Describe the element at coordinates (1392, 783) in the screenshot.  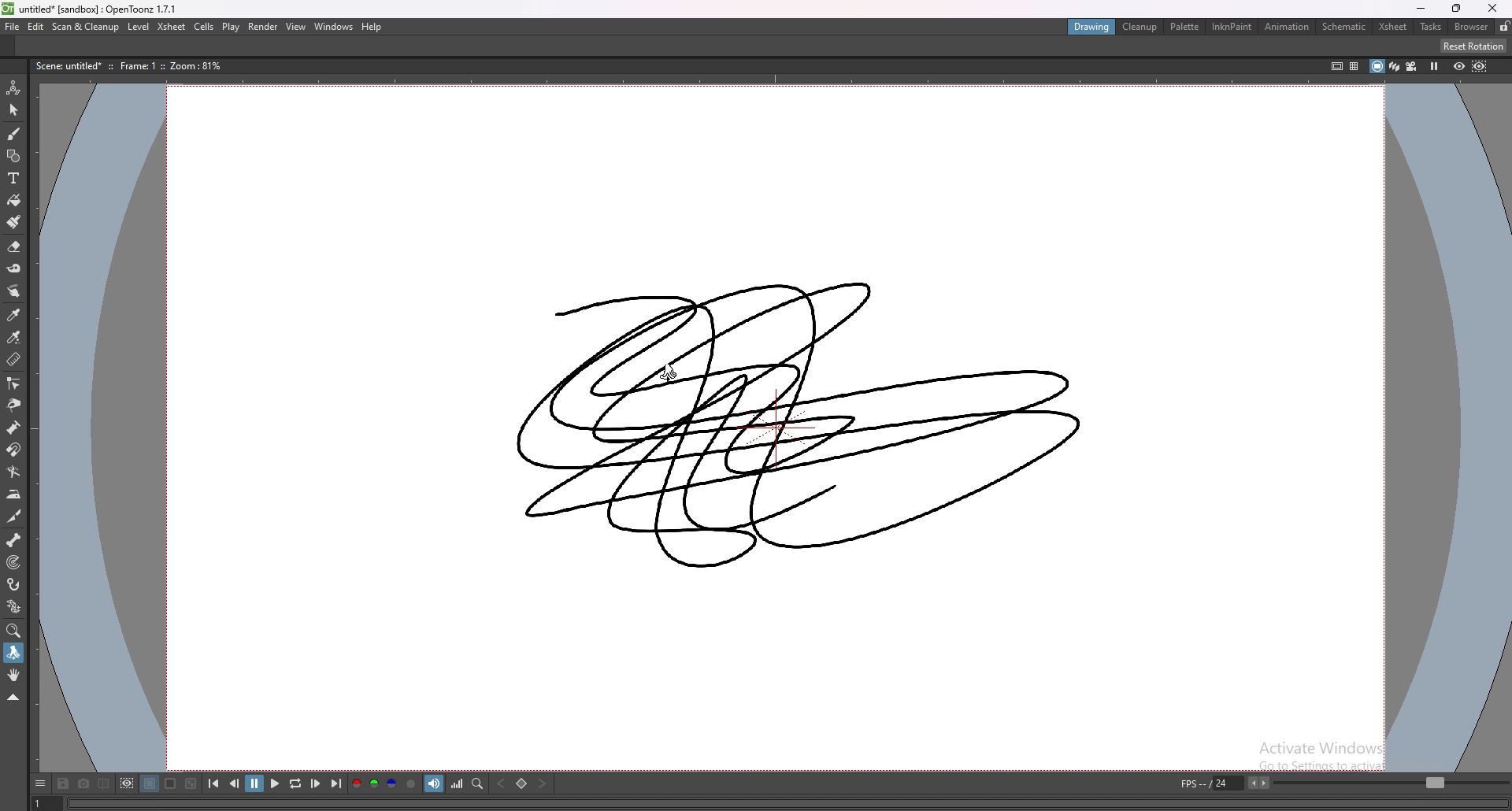
I see `fps bar` at that location.